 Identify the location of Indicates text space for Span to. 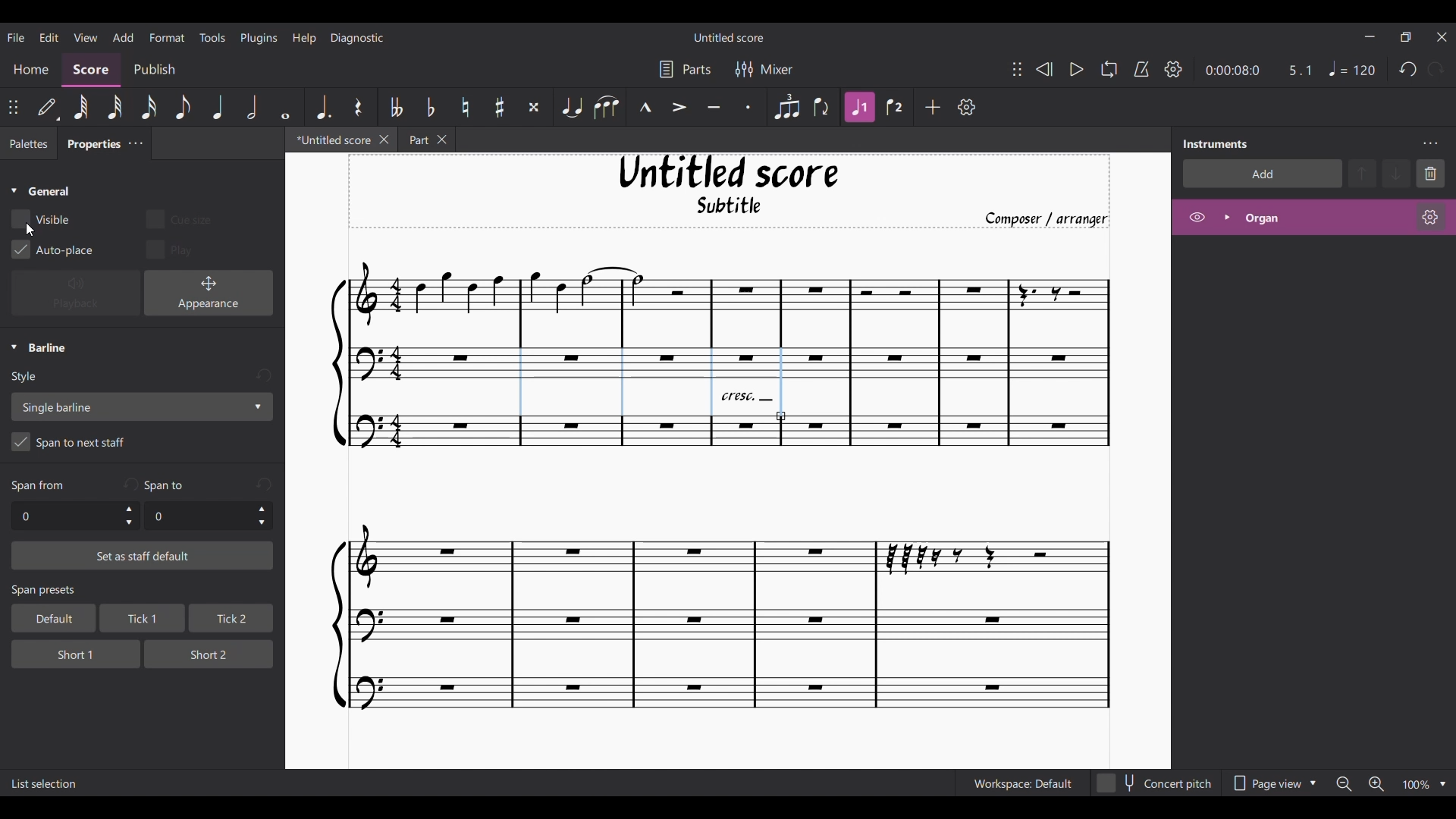
(168, 485).